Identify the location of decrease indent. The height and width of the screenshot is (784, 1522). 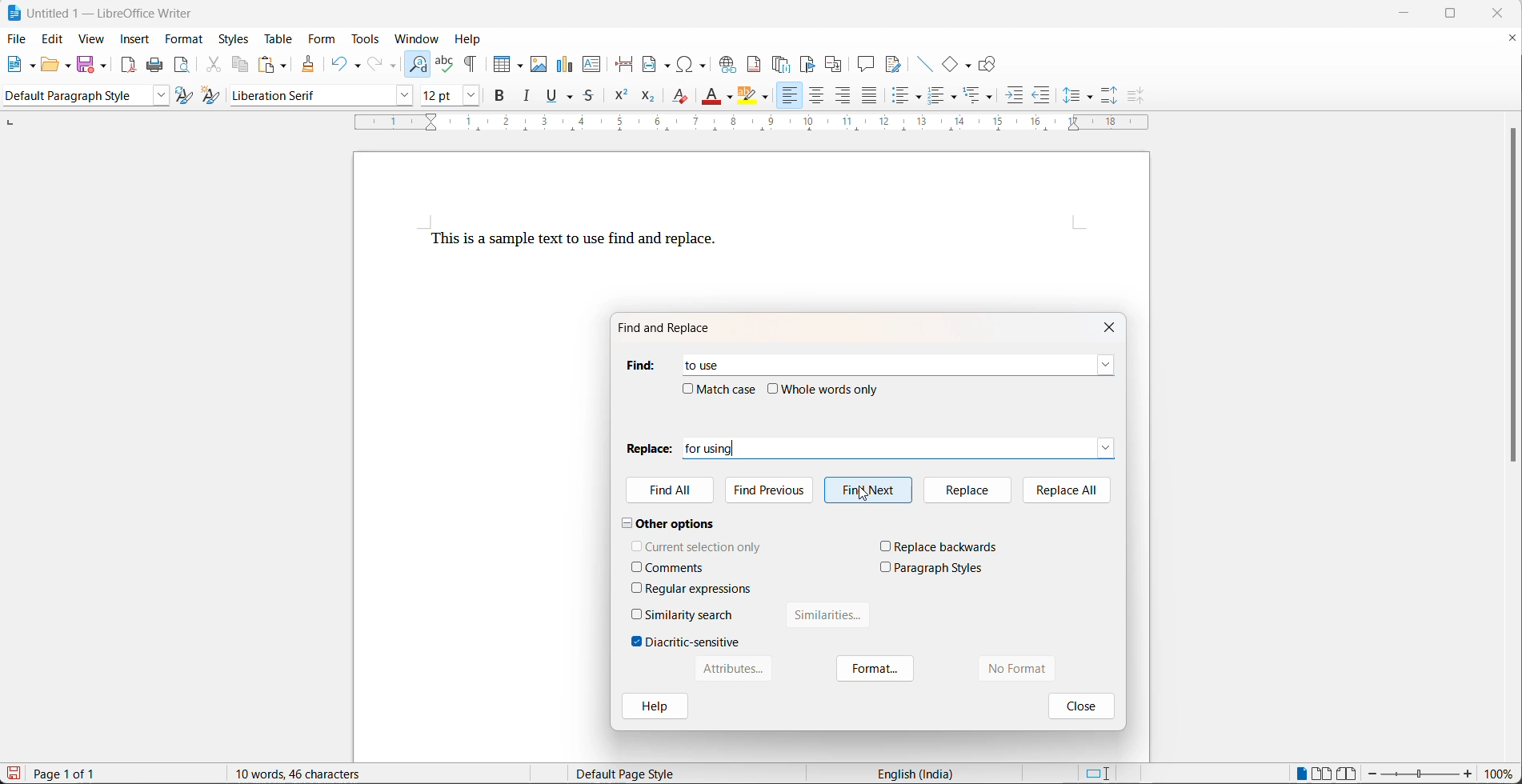
(1042, 98).